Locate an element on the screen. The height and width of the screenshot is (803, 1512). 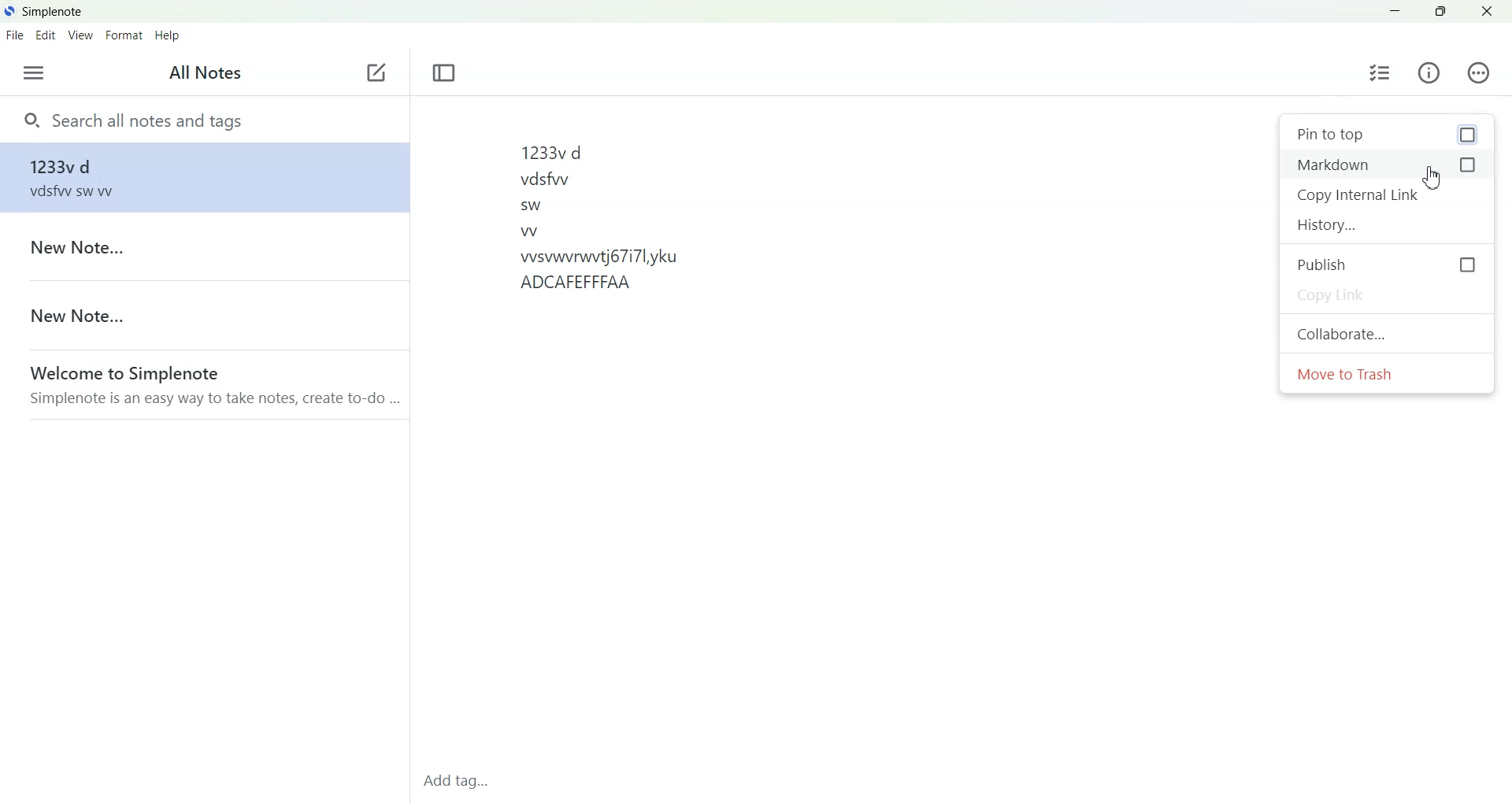
Copy Link is located at coordinates (1387, 296).